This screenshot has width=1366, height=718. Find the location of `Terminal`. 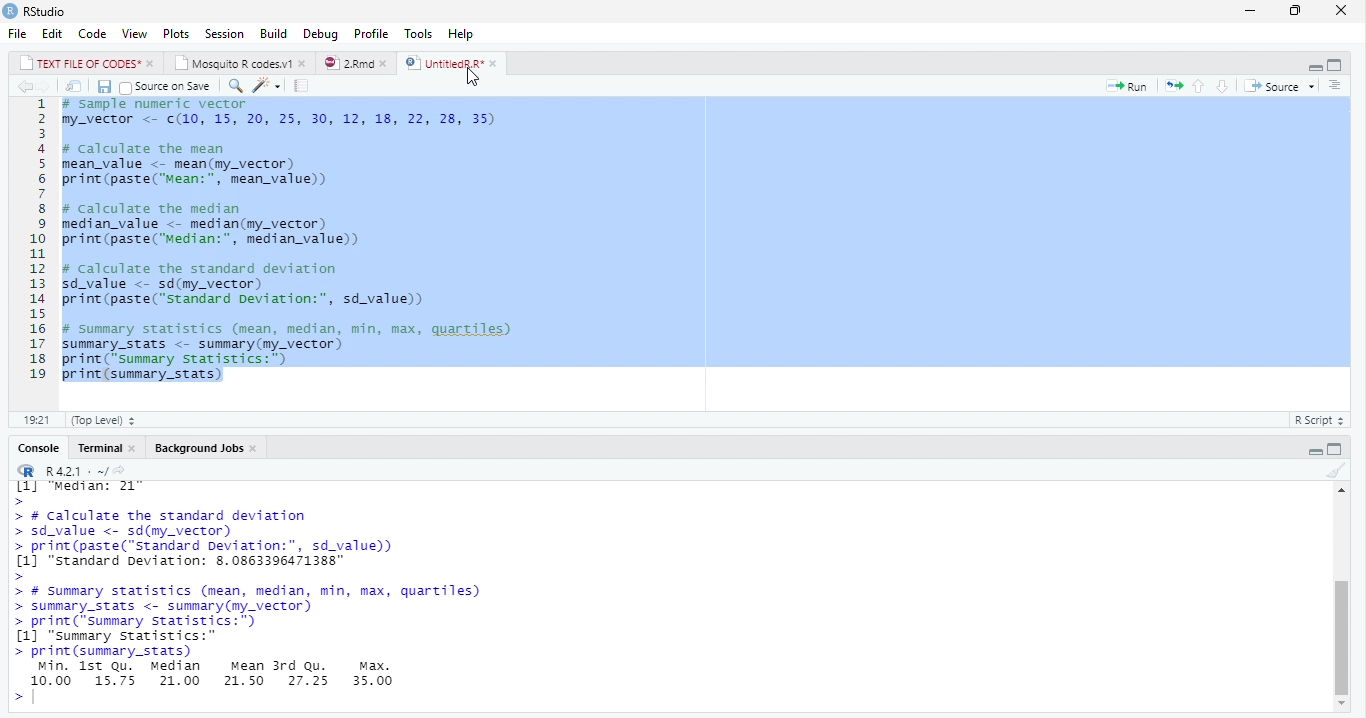

Terminal is located at coordinates (101, 448).